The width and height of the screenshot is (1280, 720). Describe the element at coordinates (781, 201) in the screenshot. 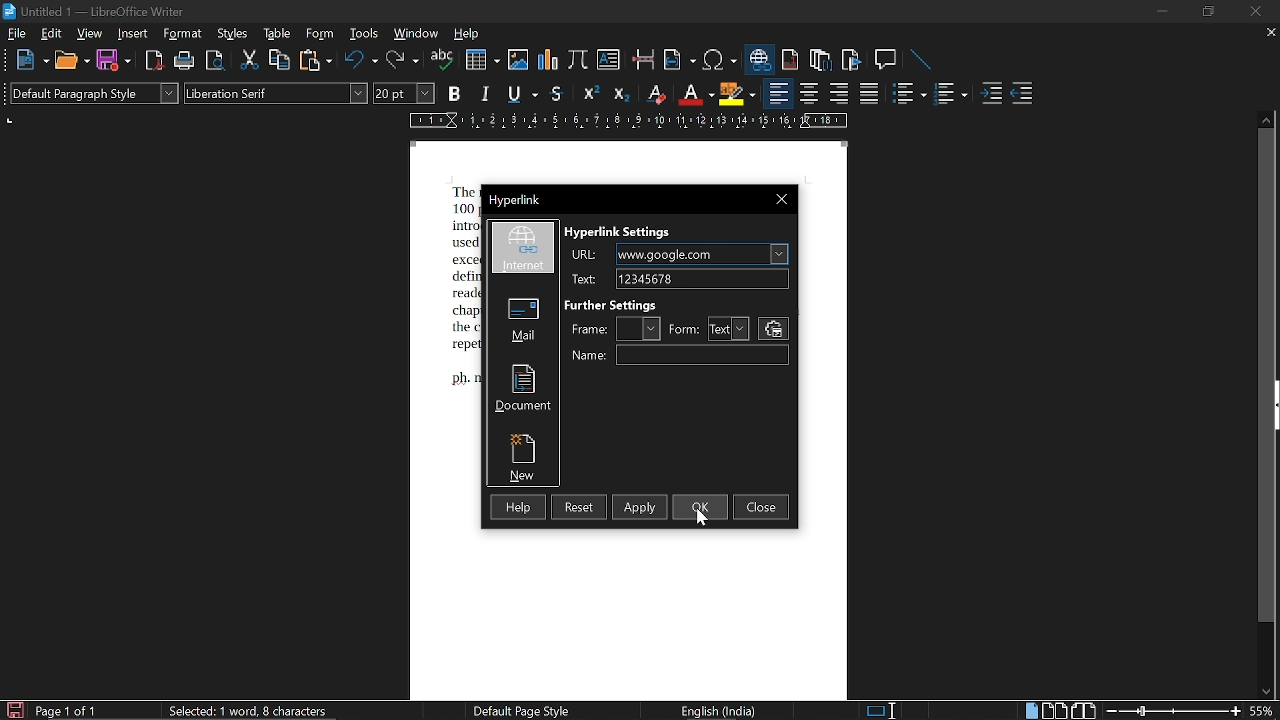

I see `close` at that location.